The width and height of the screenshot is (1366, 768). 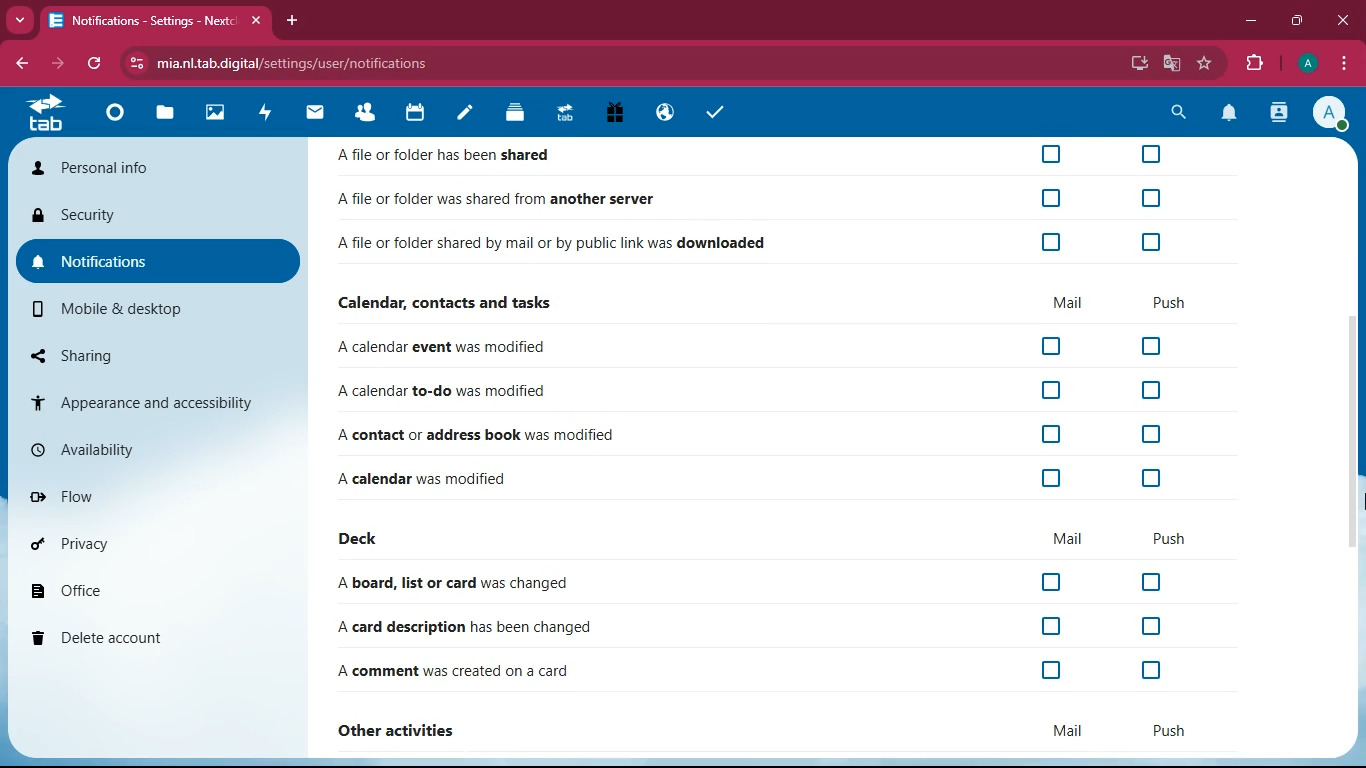 I want to click on Deck, so click(x=511, y=114).